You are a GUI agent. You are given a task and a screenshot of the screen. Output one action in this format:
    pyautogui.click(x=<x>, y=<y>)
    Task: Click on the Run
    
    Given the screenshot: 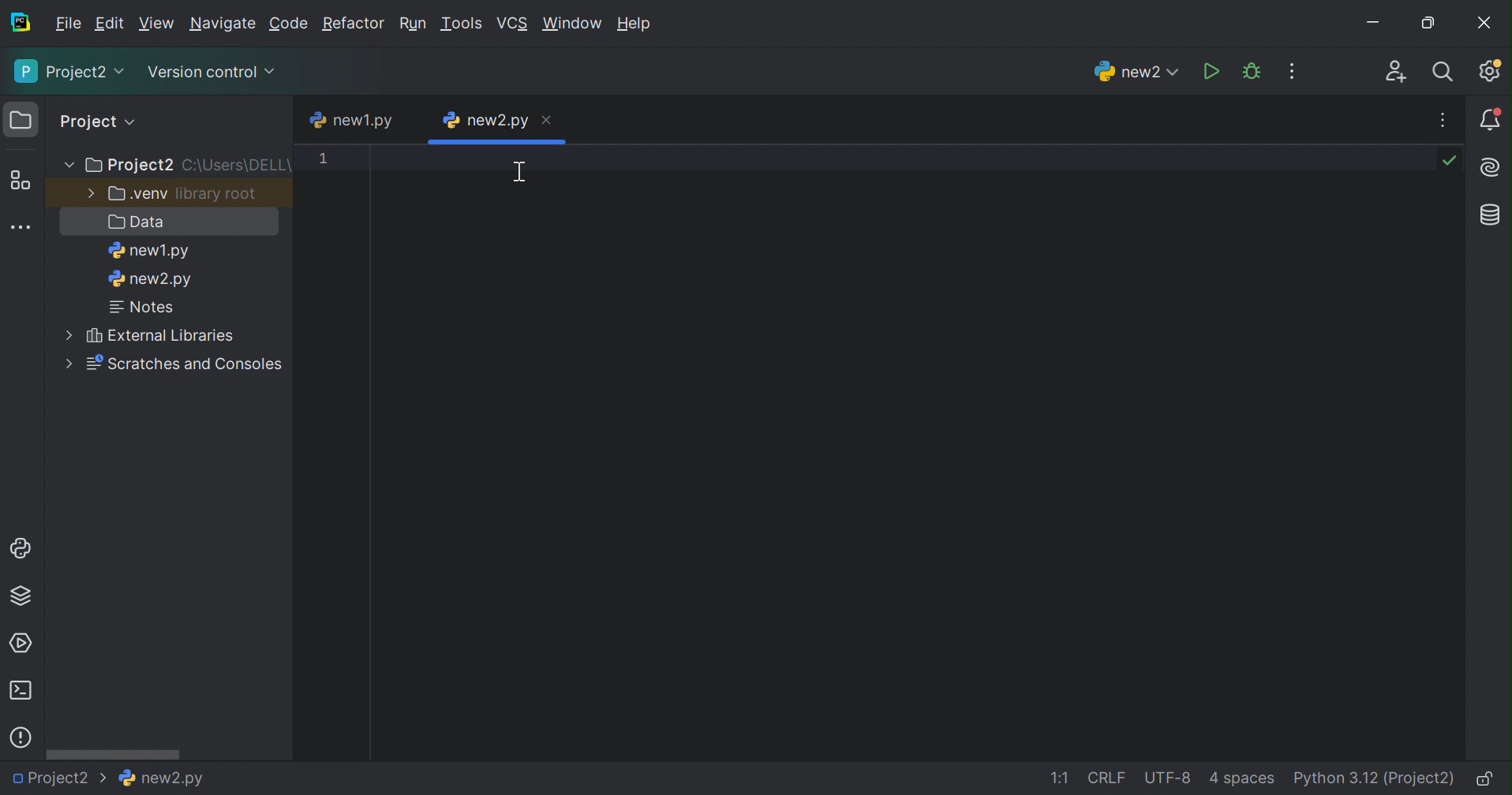 What is the action you would take?
    pyautogui.click(x=1210, y=71)
    